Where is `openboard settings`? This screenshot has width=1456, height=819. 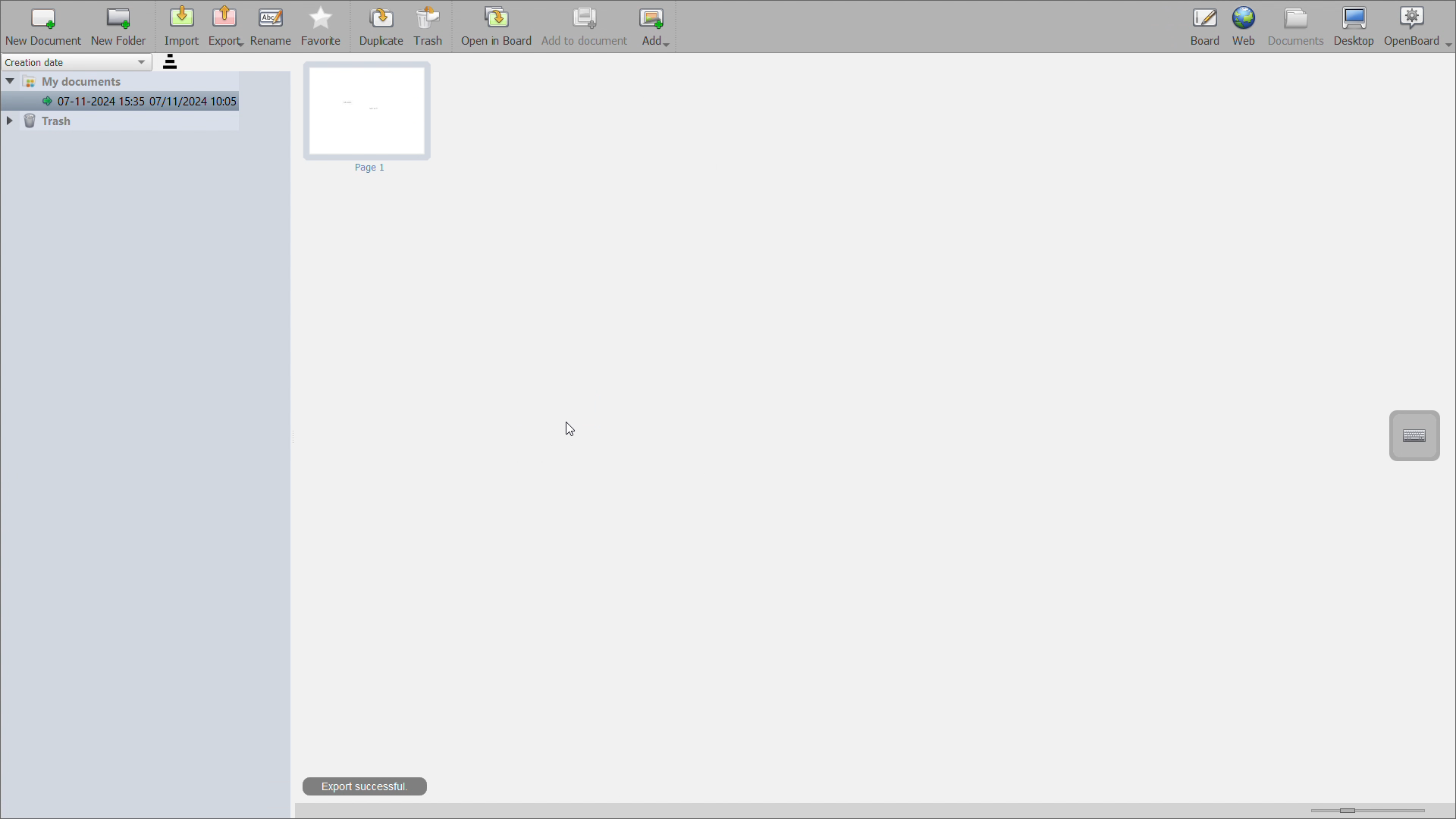 openboard settings is located at coordinates (1418, 27).